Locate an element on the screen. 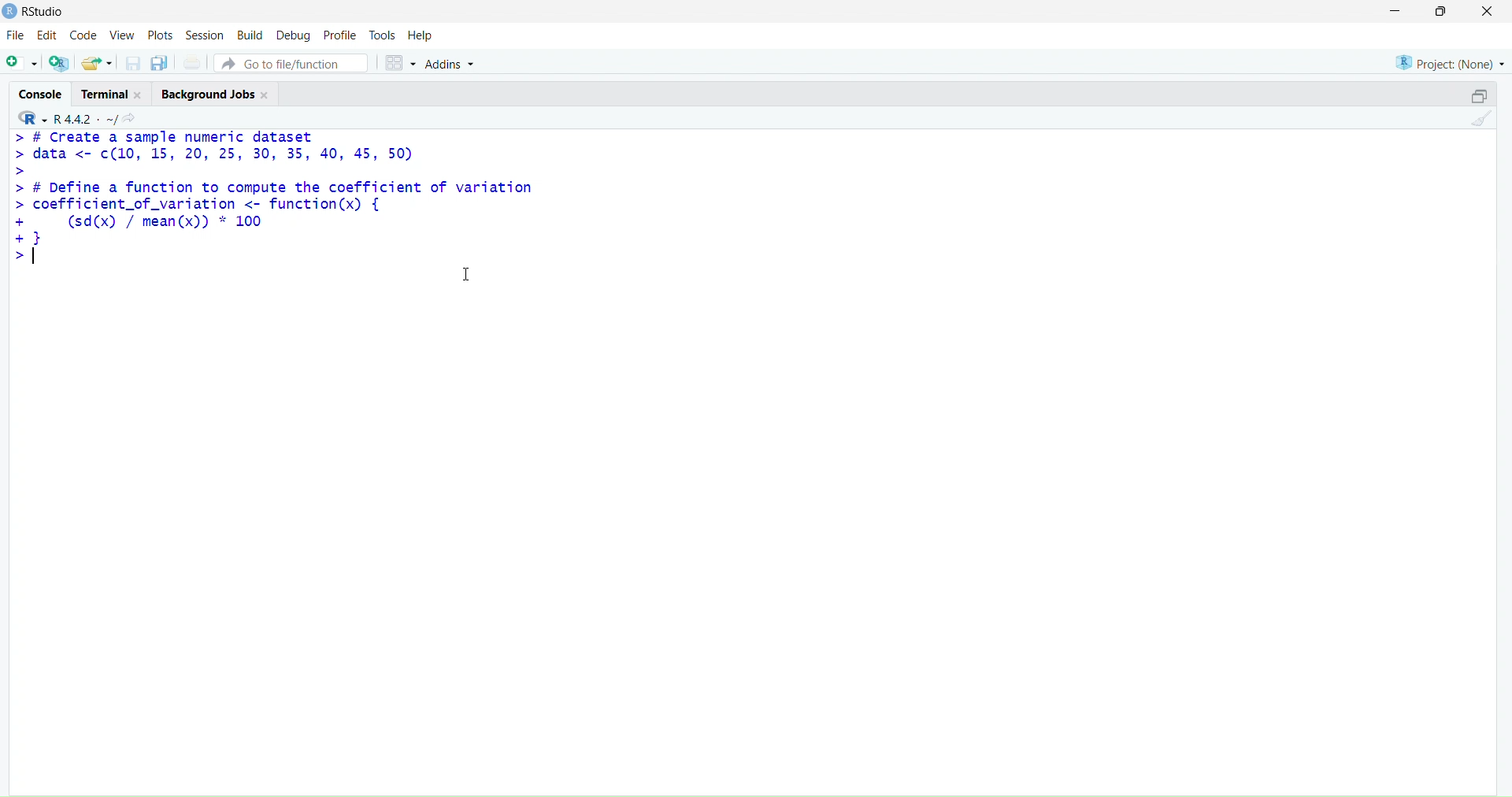 This screenshot has width=1512, height=797. plots is located at coordinates (161, 35).